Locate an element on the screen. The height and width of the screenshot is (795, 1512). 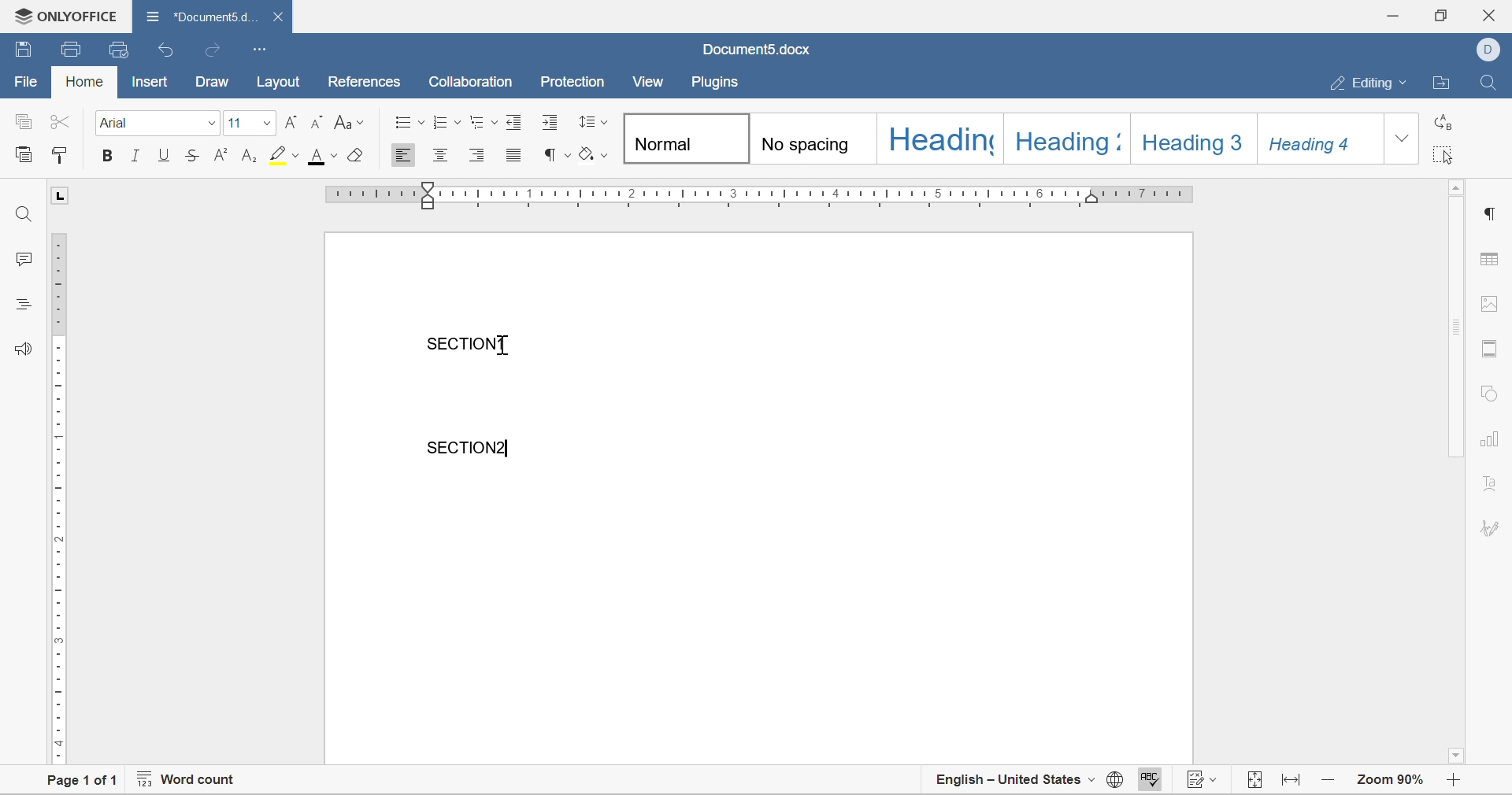
strikethrough is located at coordinates (192, 155).